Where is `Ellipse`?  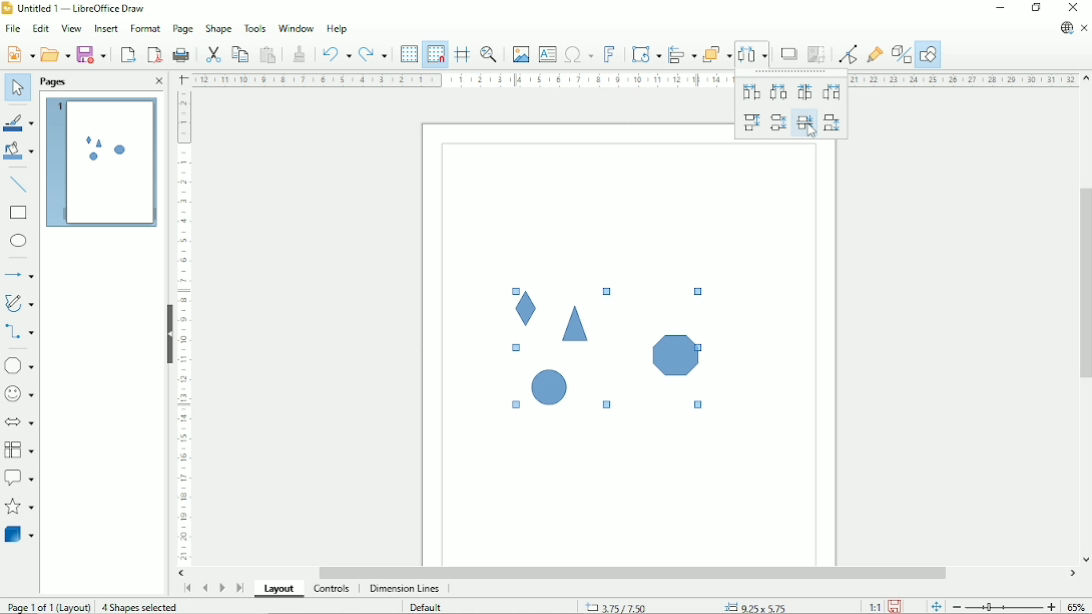
Ellipse is located at coordinates (19, 241).